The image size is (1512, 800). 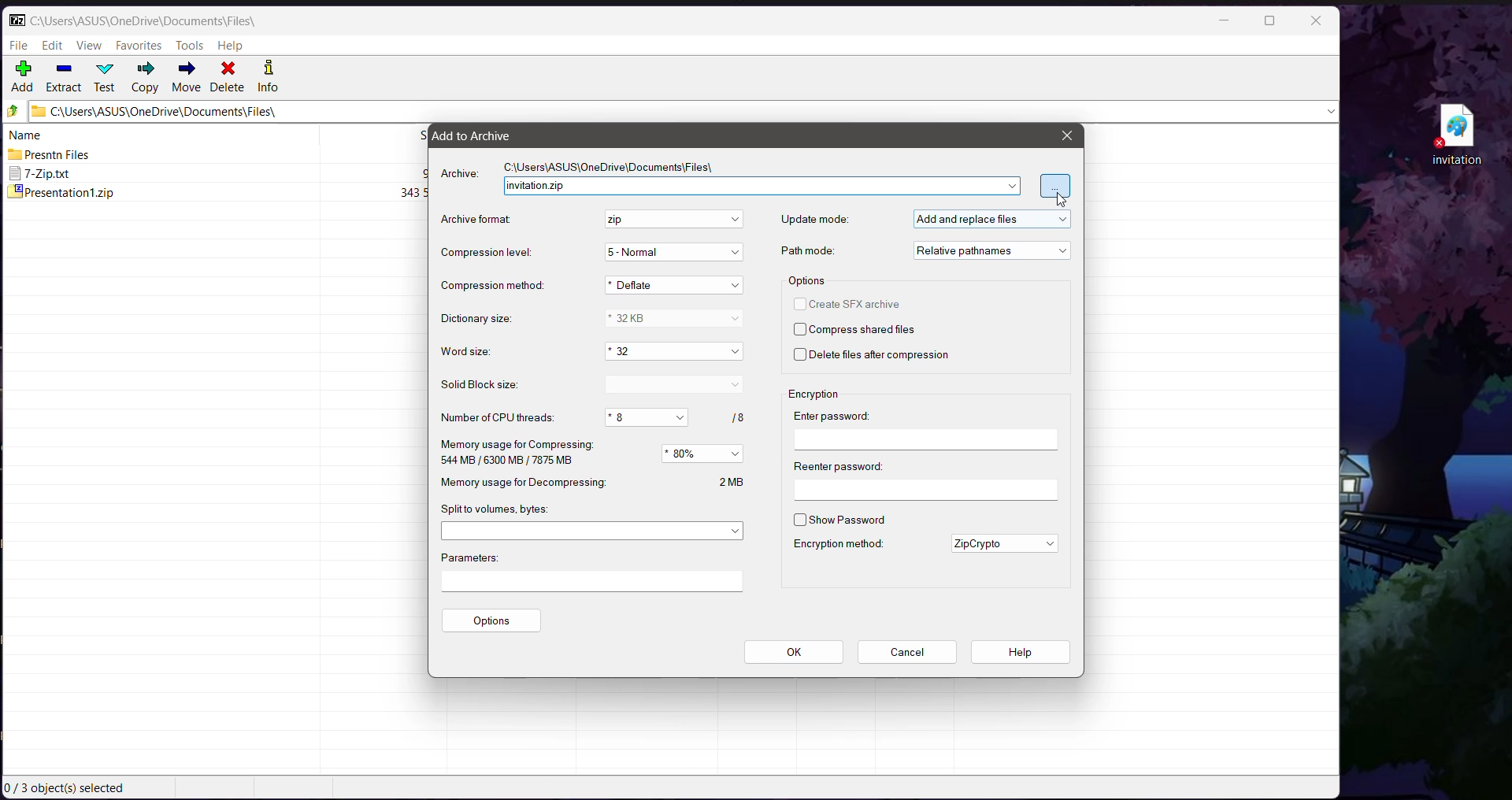 What do you see at coordinates (597, 570) in the screenshot?
I see `Parameters` at bounding box center [597, 570].